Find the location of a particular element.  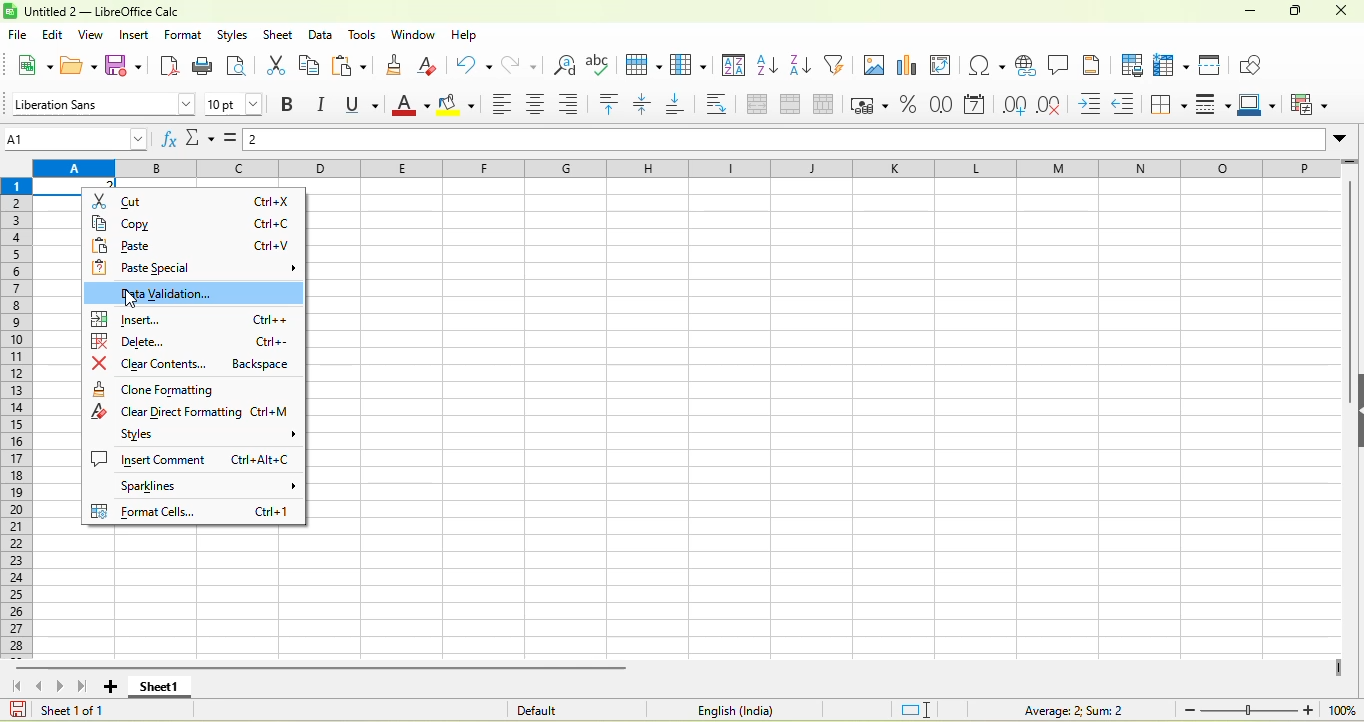

scroll to previous sheet is located at coordinates (43, 686).